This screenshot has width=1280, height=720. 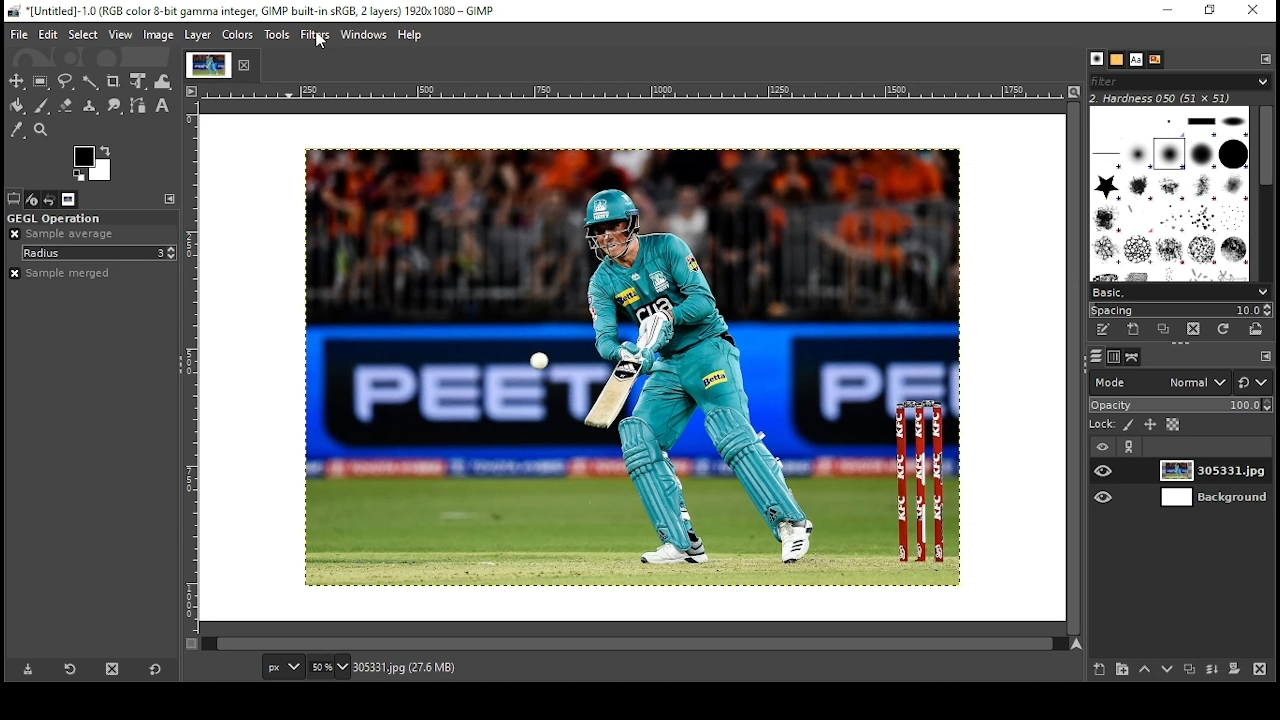 What do you see at coordinates (18, 105) in the screenshot?
I see `paint bucket tool` at bounding box center [18, 105].